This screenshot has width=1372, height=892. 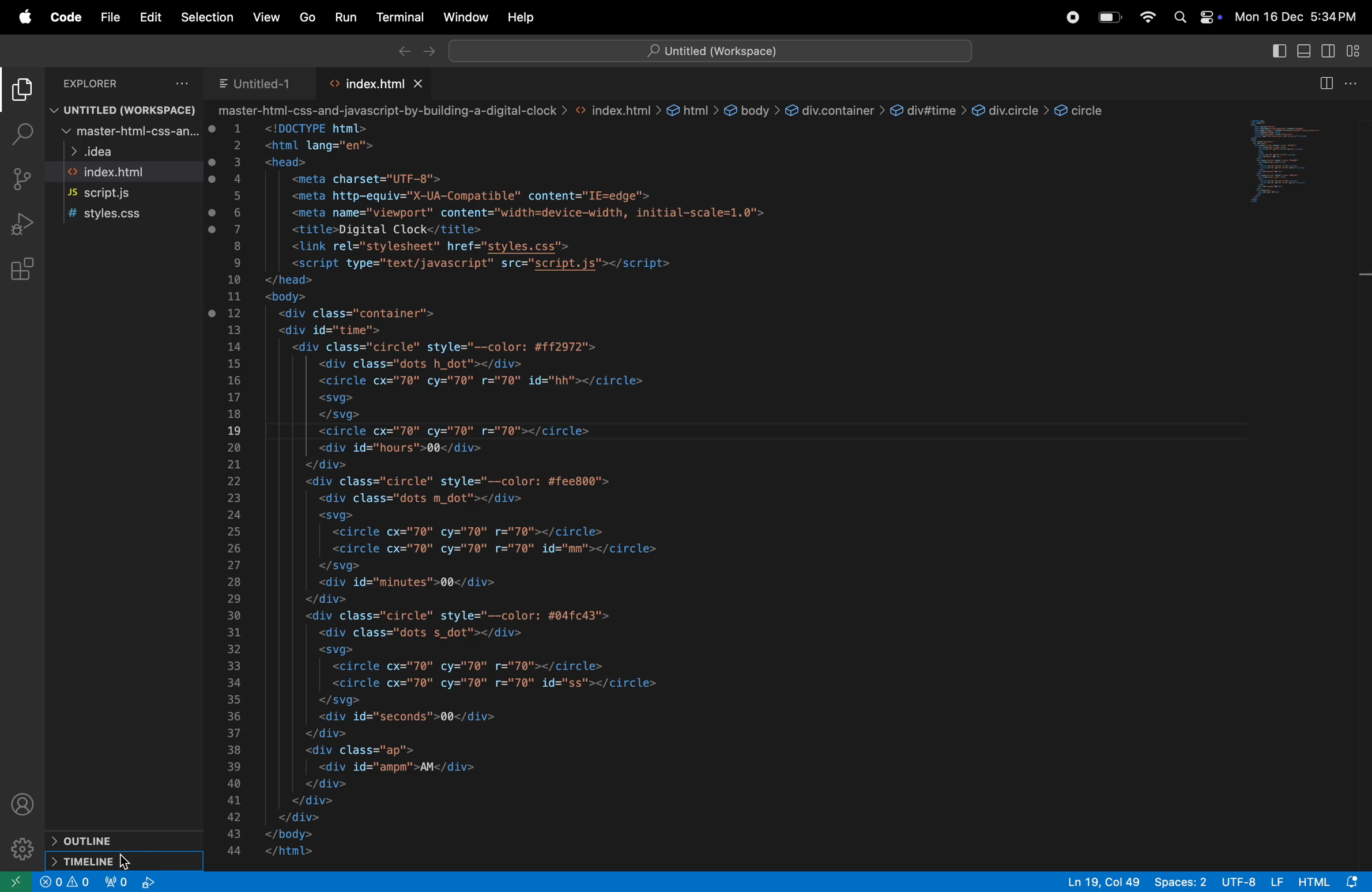 What do you see at coordinates (349, 313) in the screenshot?
I see `<div class="container">` at bounding box center [349, 313].